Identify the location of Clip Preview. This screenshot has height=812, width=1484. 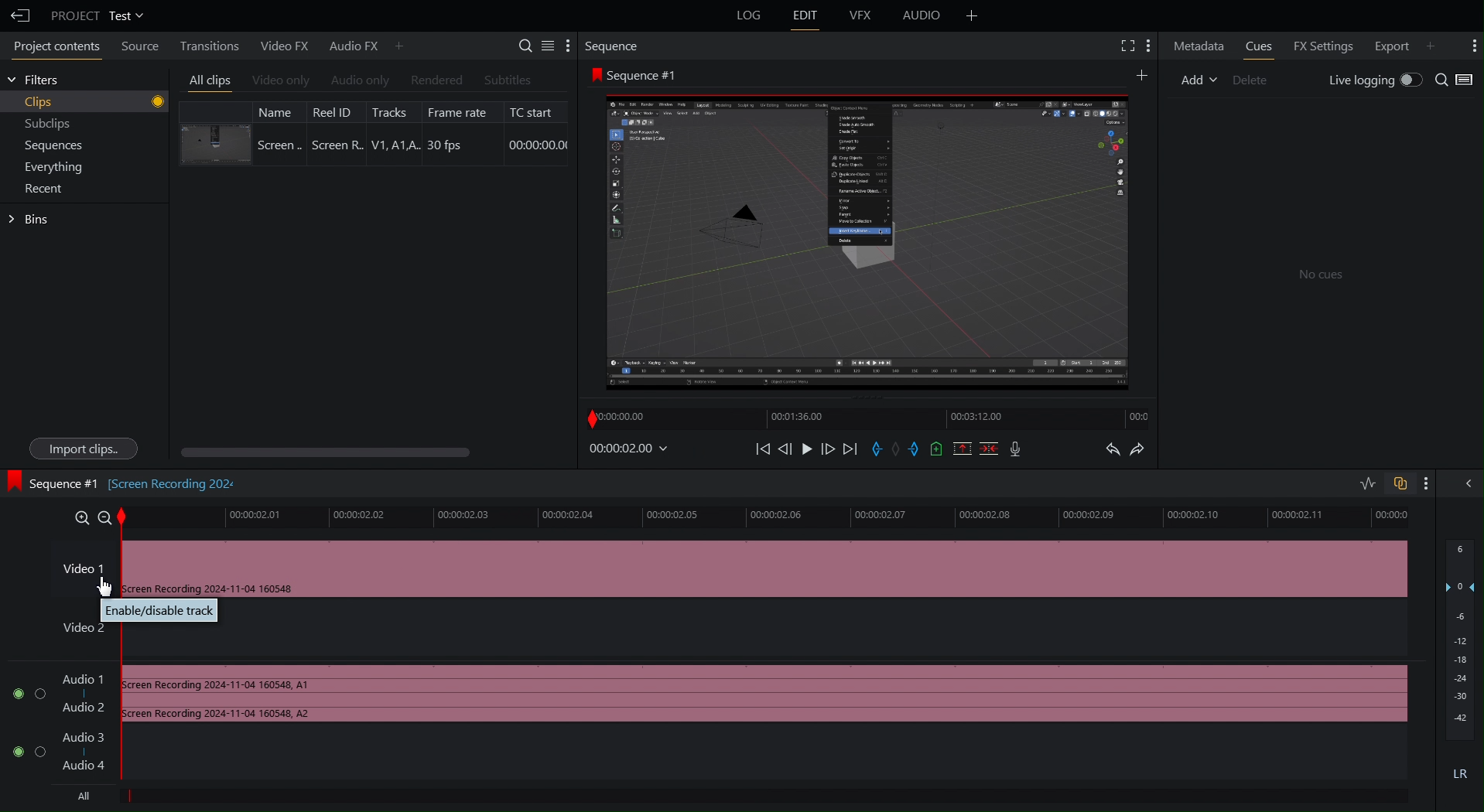
(870, 244).